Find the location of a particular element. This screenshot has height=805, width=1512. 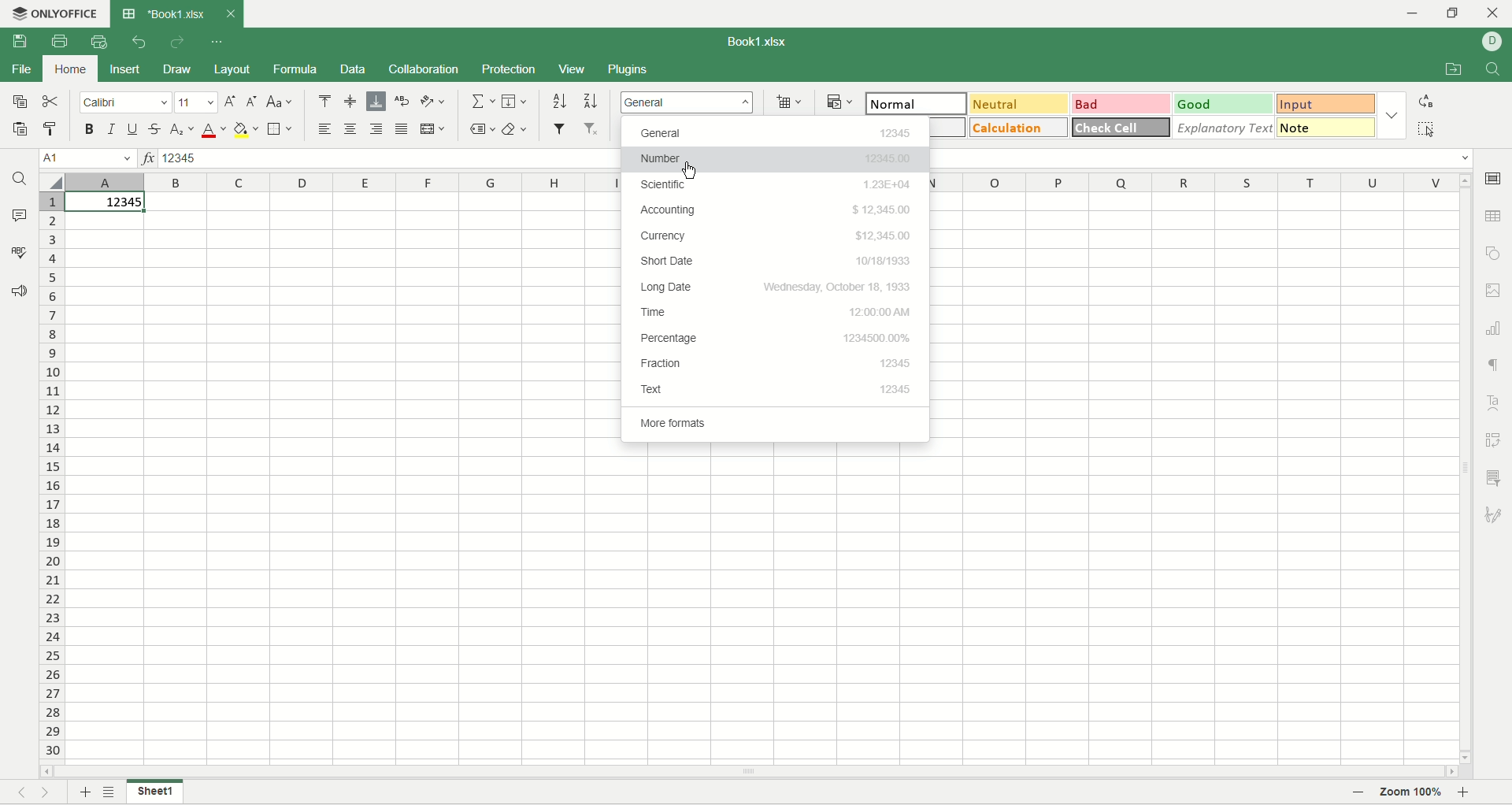

cut is located at coordinates (50, 100).